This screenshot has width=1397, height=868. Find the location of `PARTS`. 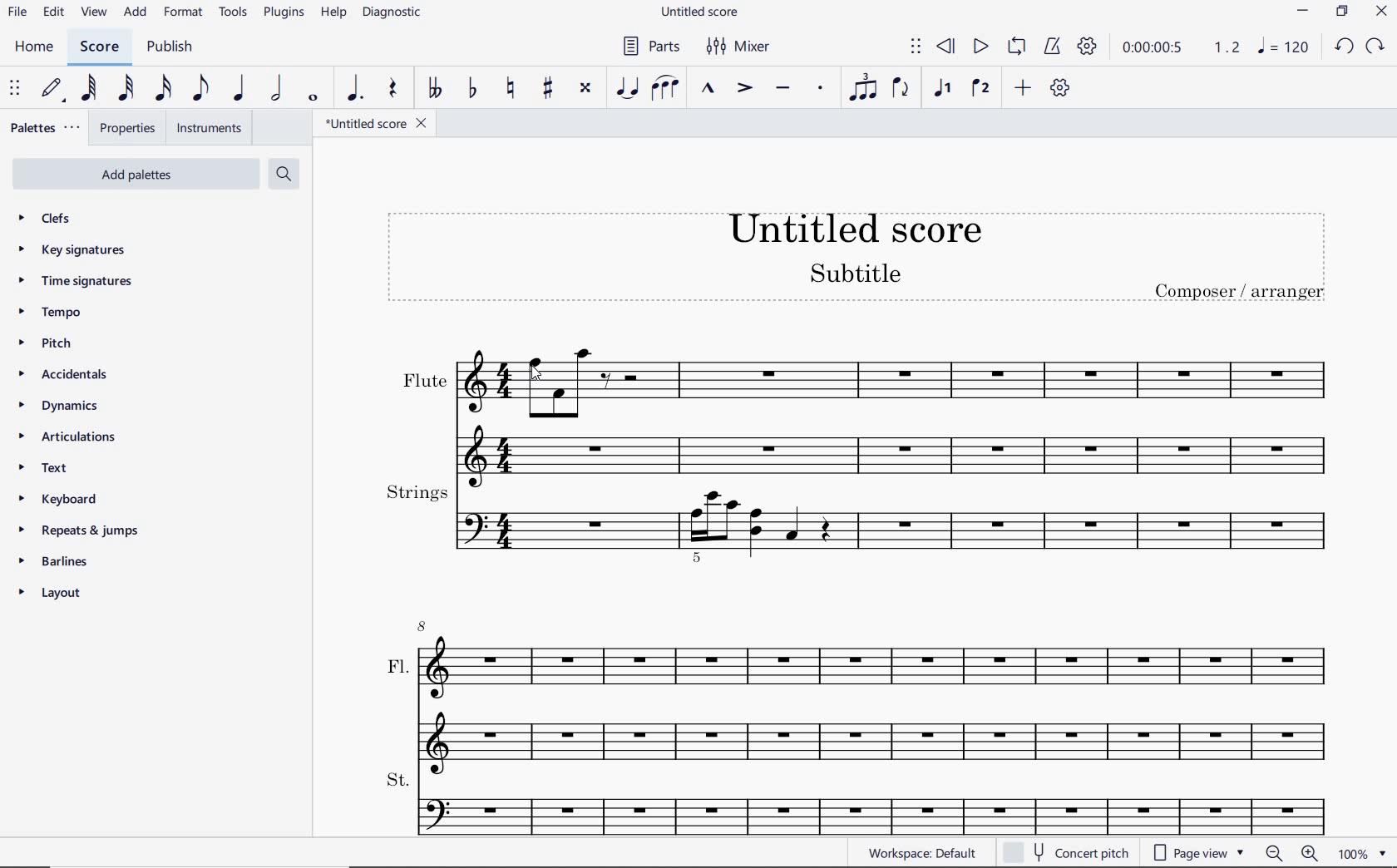

PARTS is located at coordinates (650, 47).